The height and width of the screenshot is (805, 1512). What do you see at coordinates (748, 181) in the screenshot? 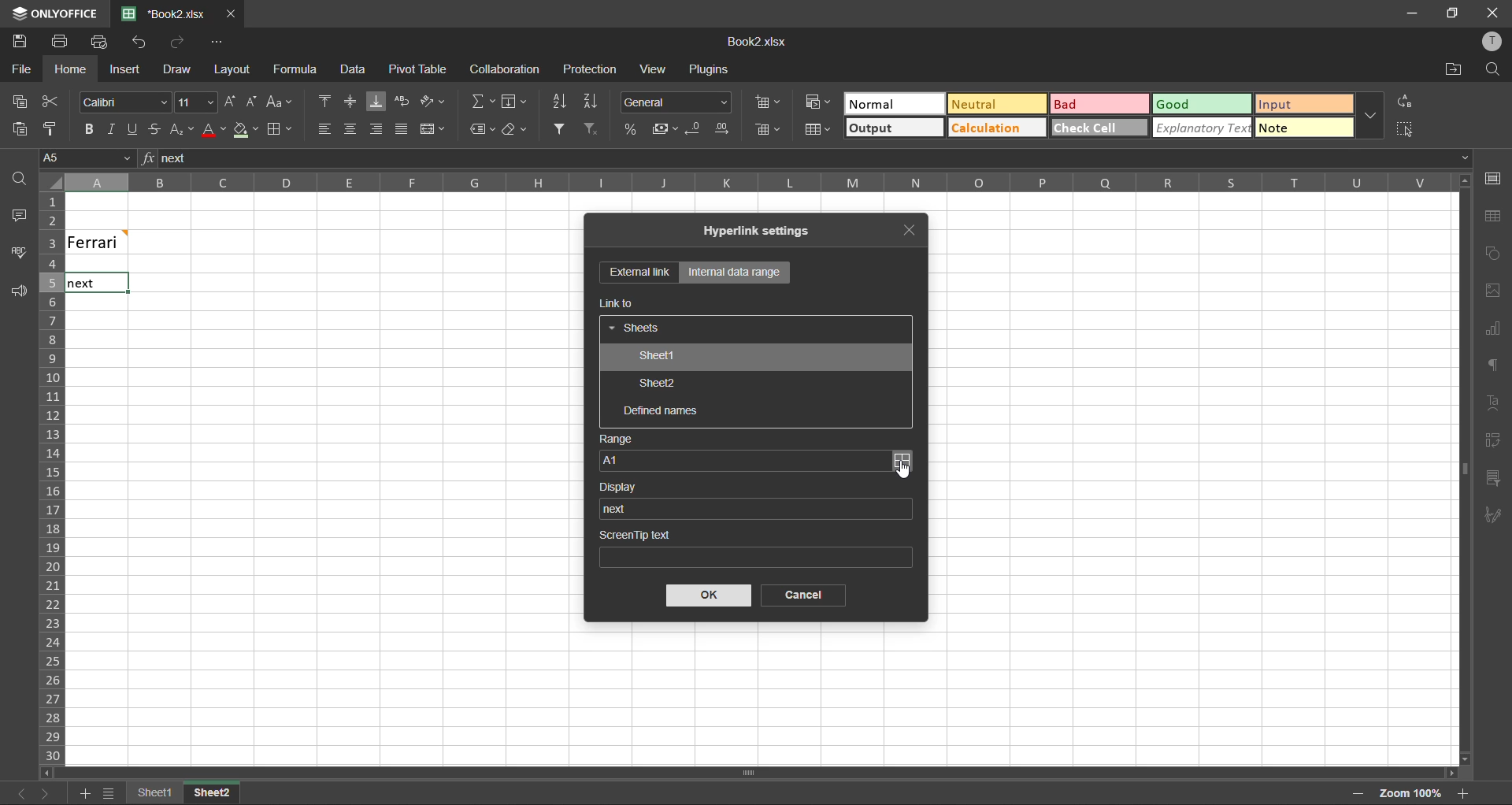
I see `column names` at bounding box center [748, 181].